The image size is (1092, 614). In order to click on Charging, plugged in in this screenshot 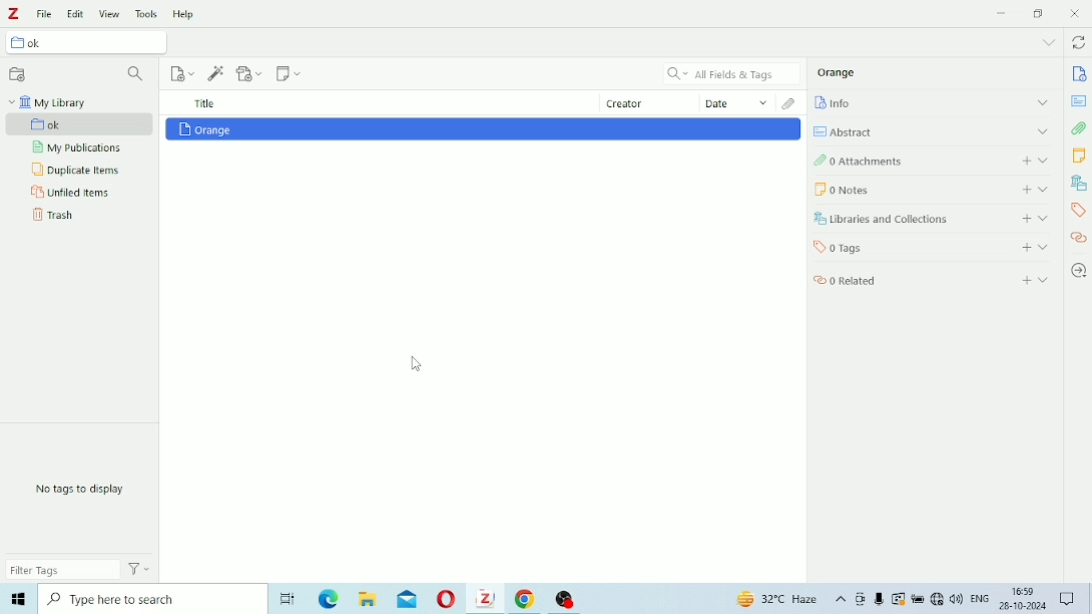, I will do `click(918, 599)`.